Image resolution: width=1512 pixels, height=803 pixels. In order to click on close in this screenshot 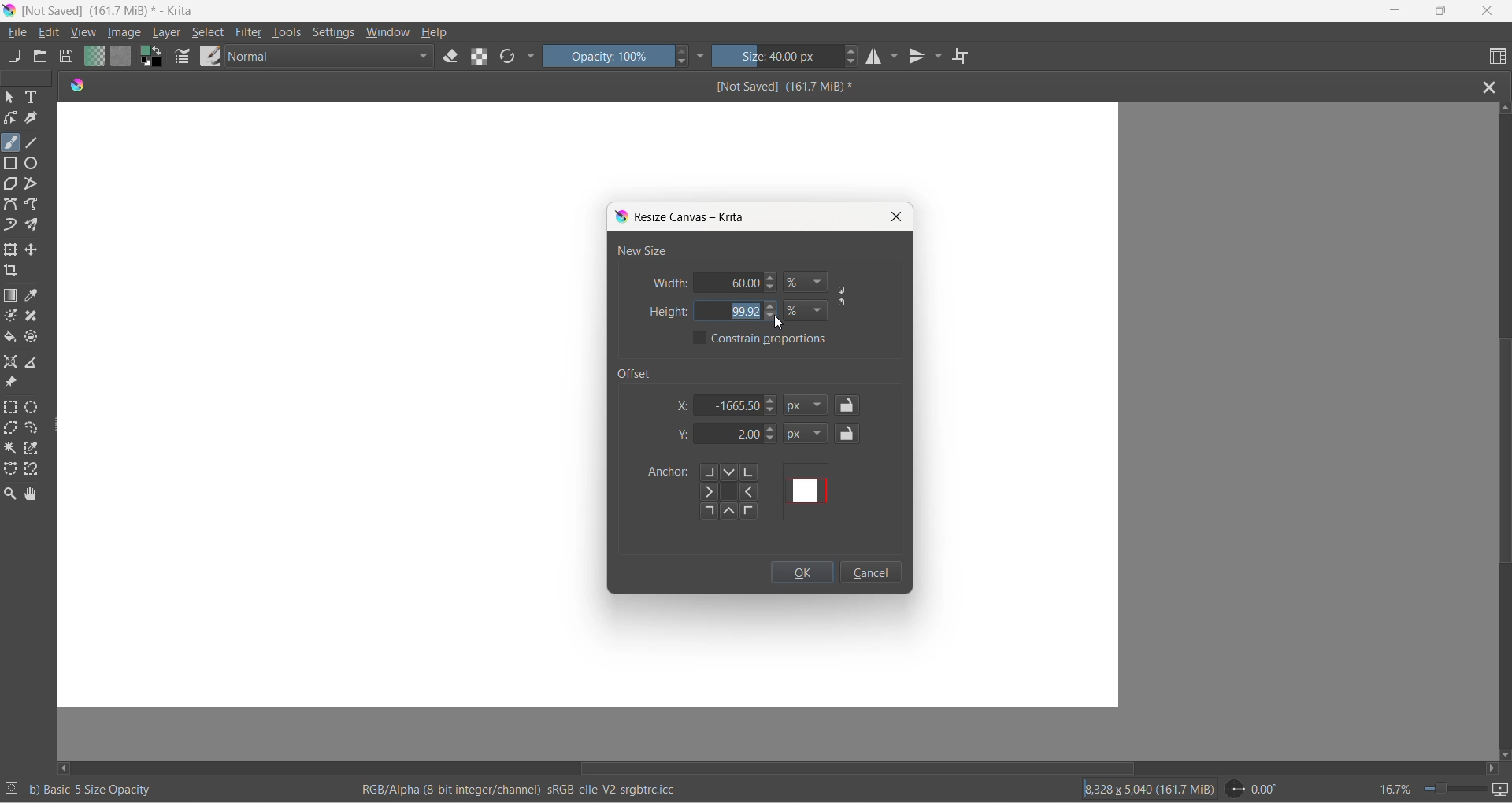, I will do `click(1488, 12)`.